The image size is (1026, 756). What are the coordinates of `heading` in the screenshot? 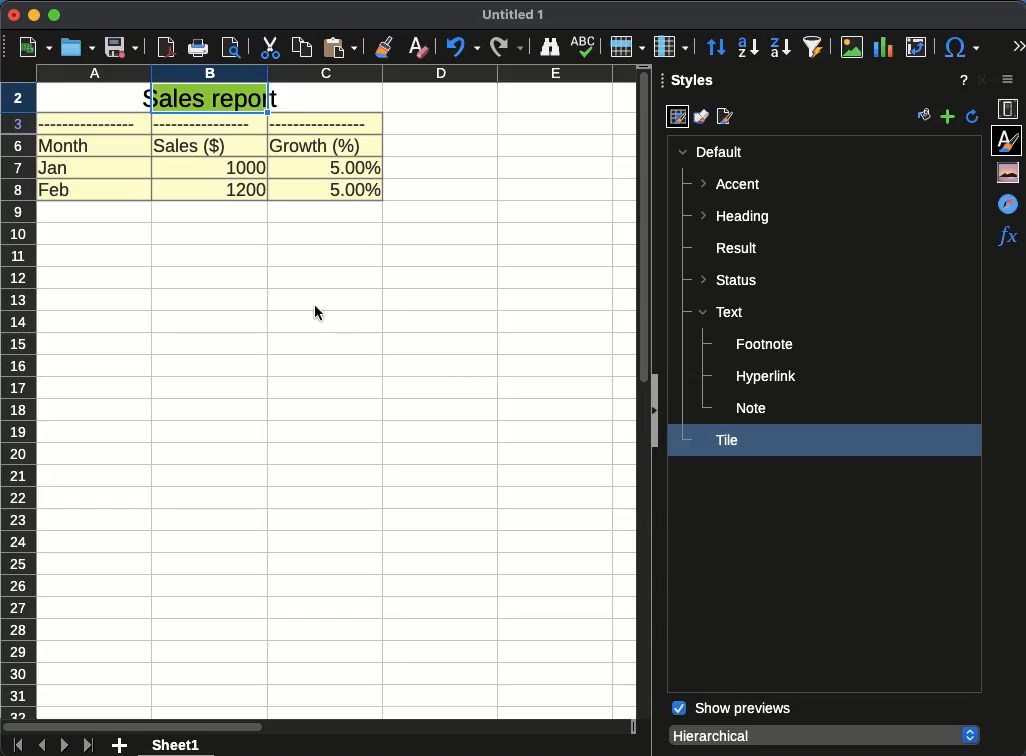 It's located at (734, 218).